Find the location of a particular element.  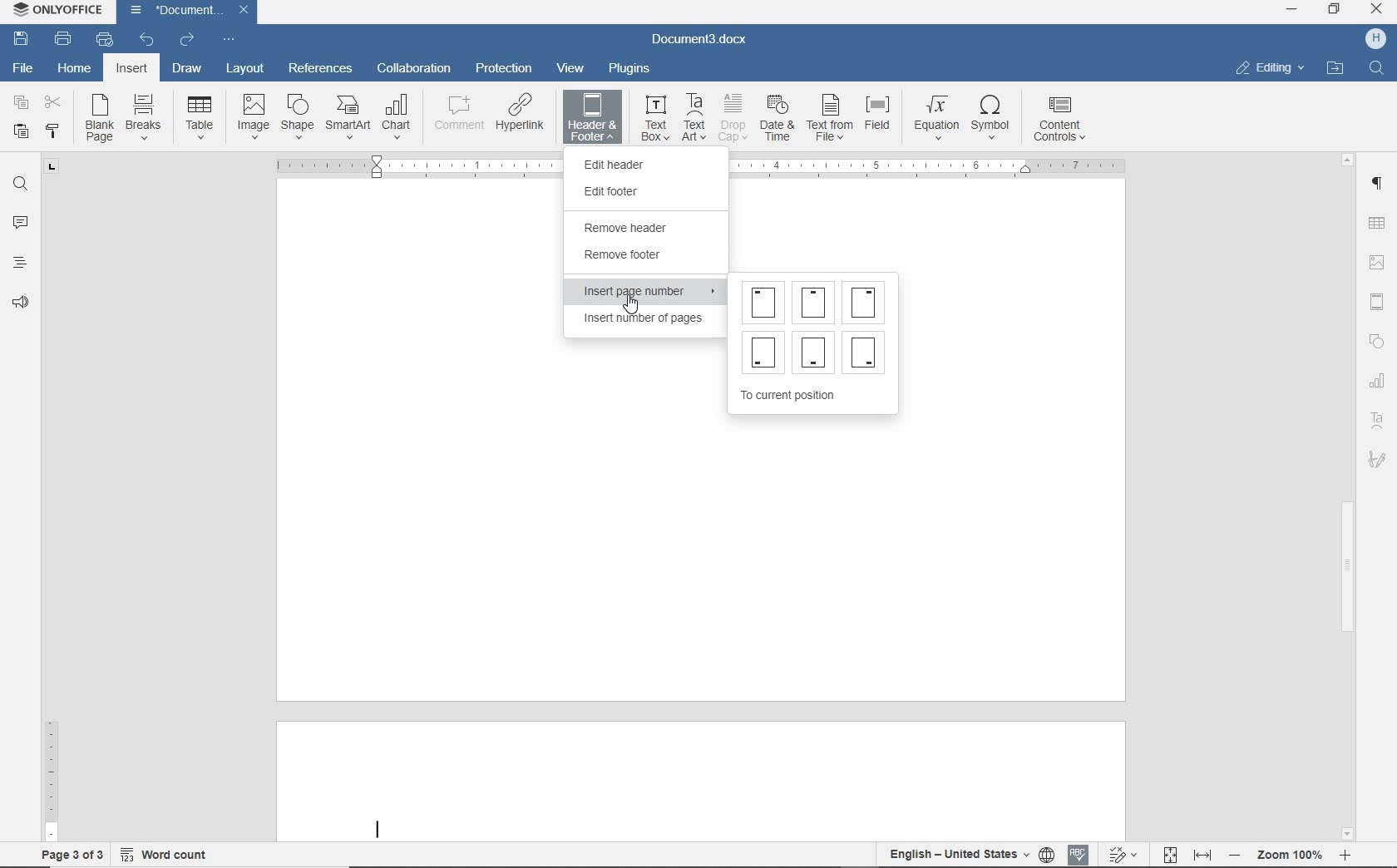

Page number at top center is located at coordinates (813, 298).